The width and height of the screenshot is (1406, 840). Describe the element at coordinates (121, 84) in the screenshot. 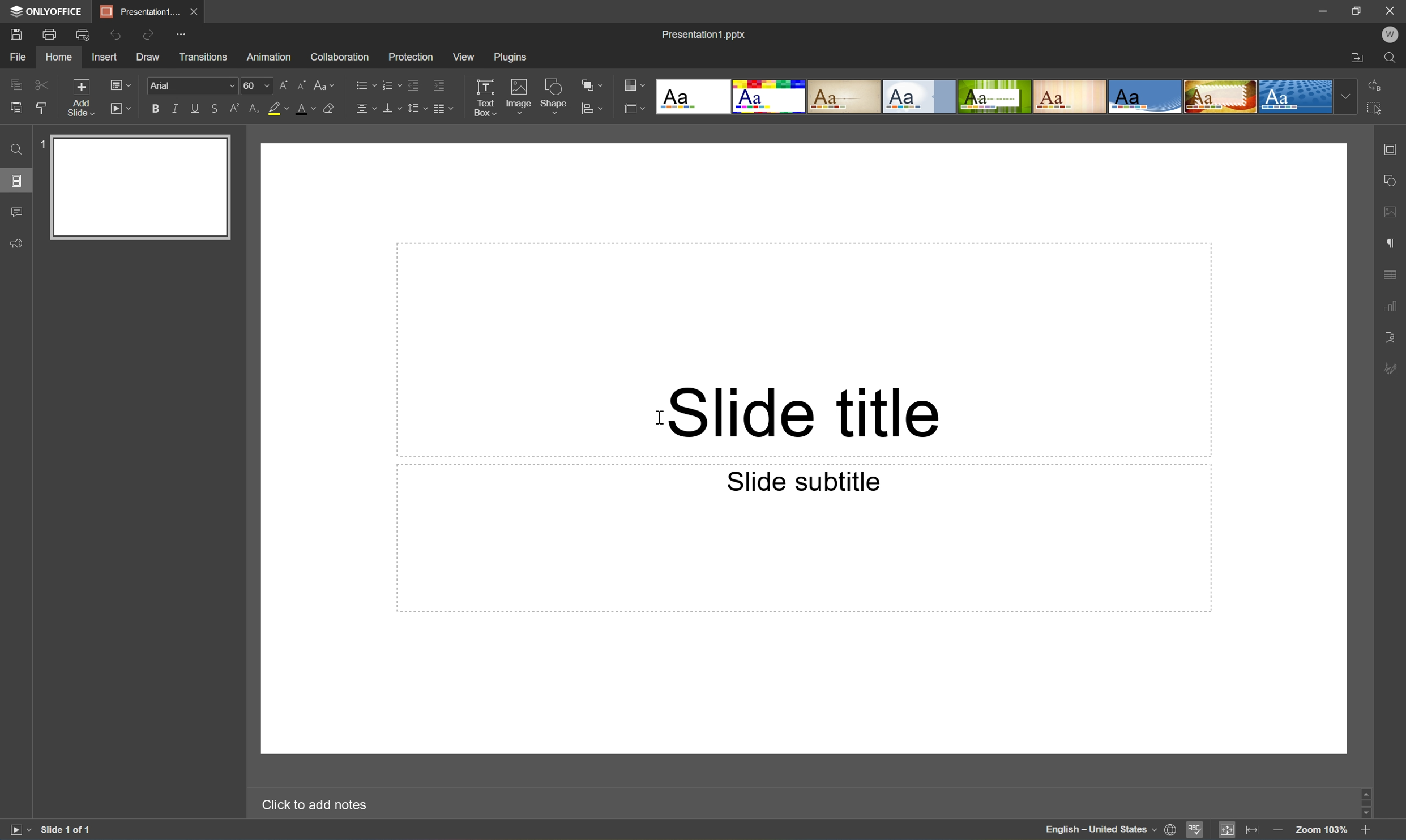

I see `Change slide layout` at that location.